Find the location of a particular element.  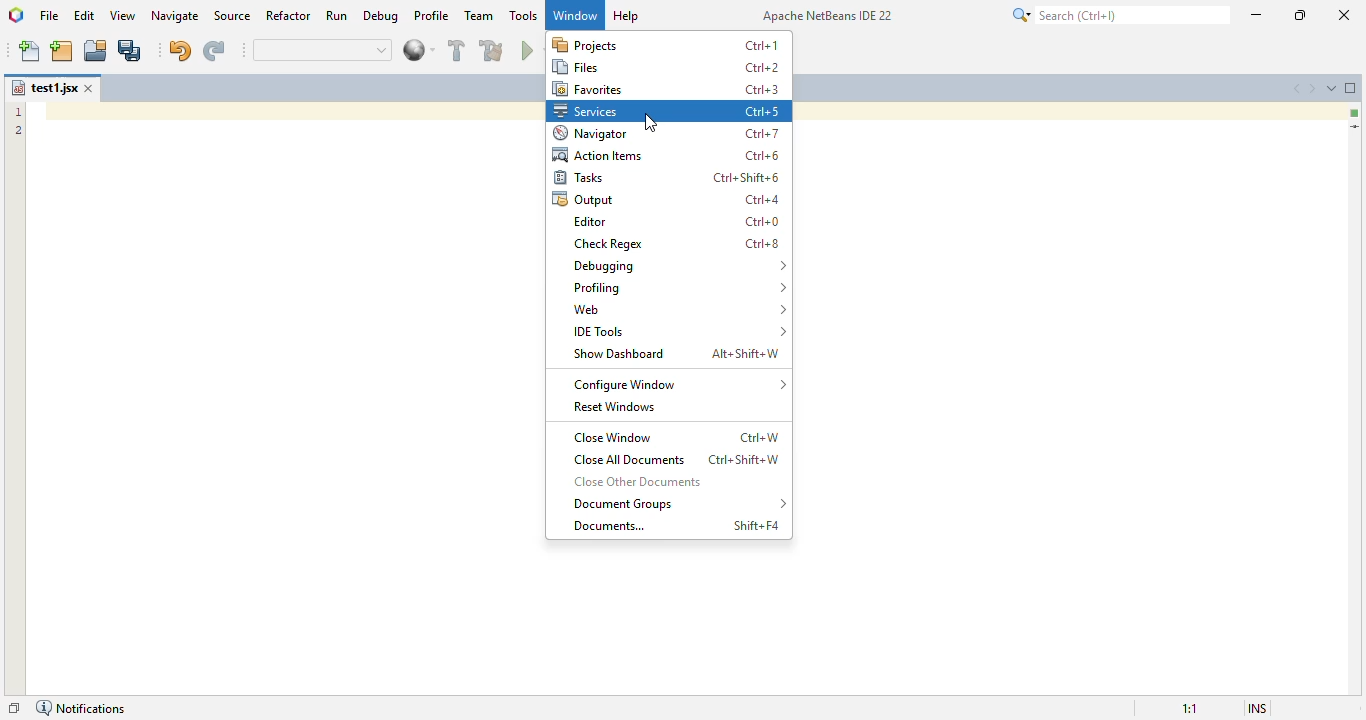

edit is located at coordinates (85, 15).